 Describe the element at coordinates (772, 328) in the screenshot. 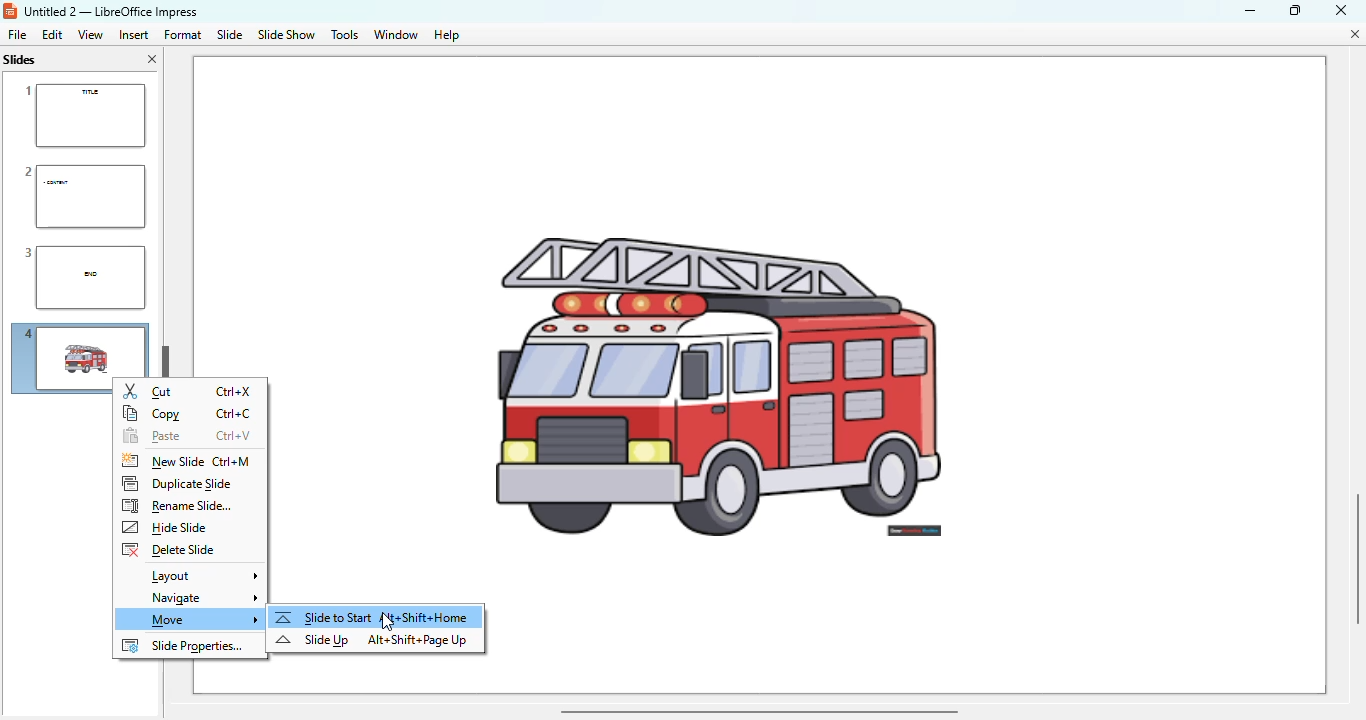

I see `image` at that location.